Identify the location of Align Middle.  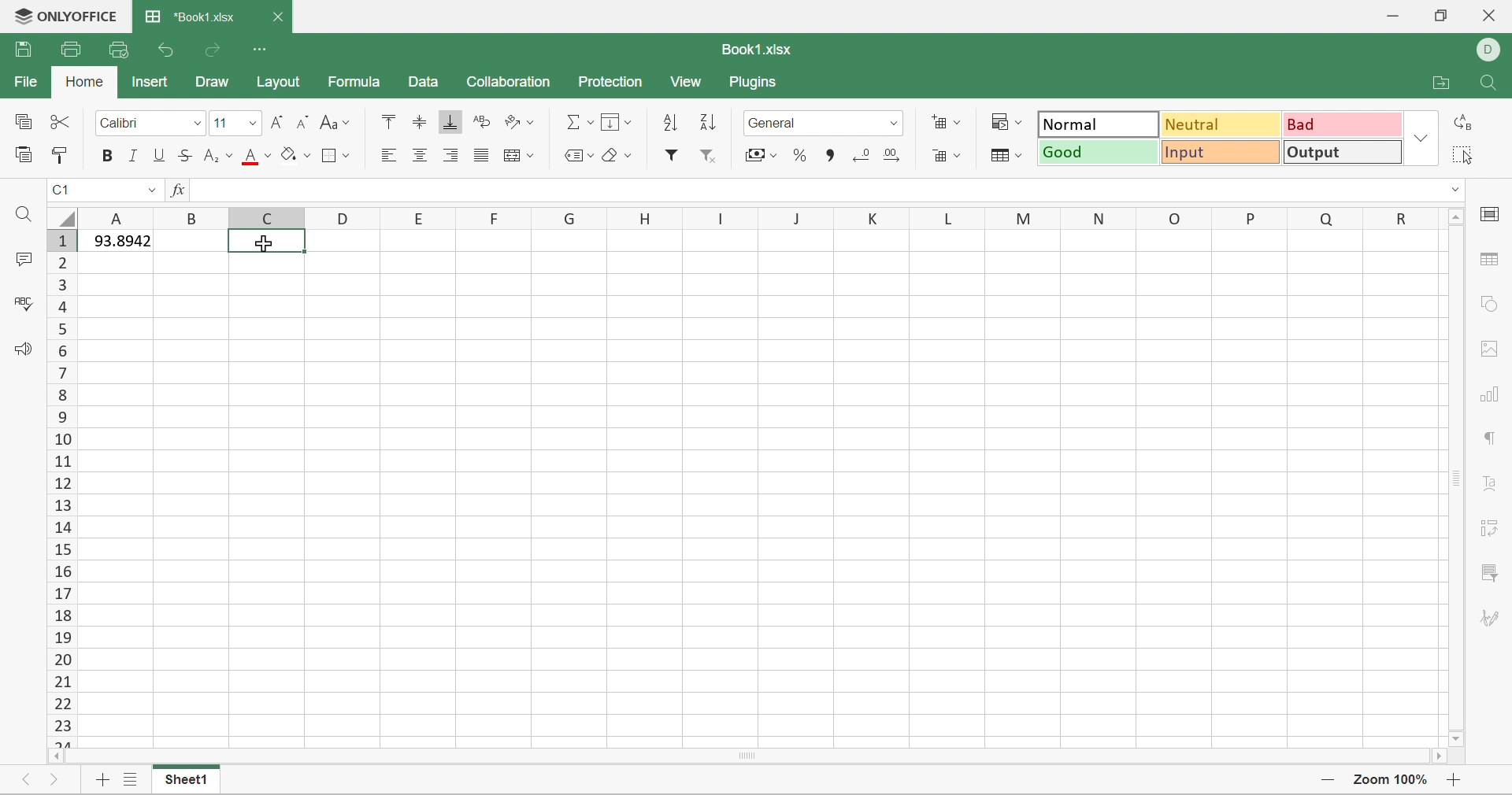
(420, 121).